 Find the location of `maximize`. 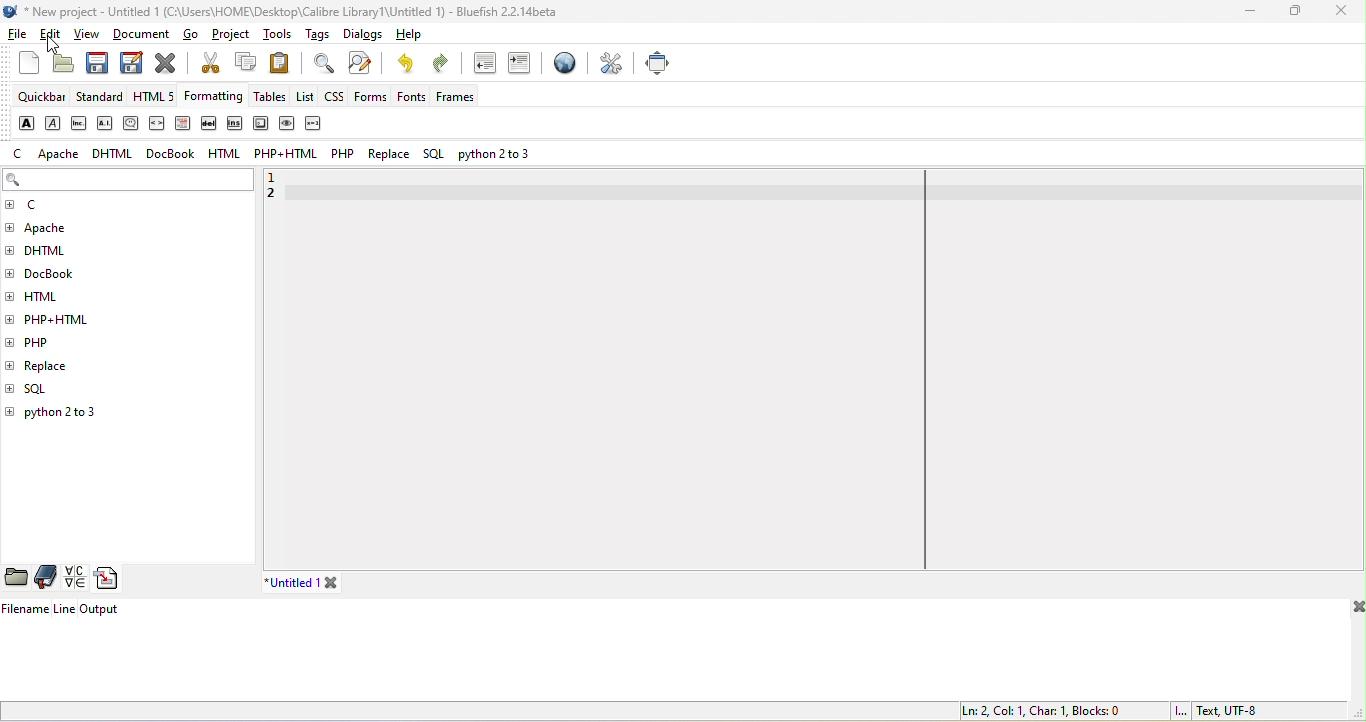

maximize is located at coordinates (1296, 13).